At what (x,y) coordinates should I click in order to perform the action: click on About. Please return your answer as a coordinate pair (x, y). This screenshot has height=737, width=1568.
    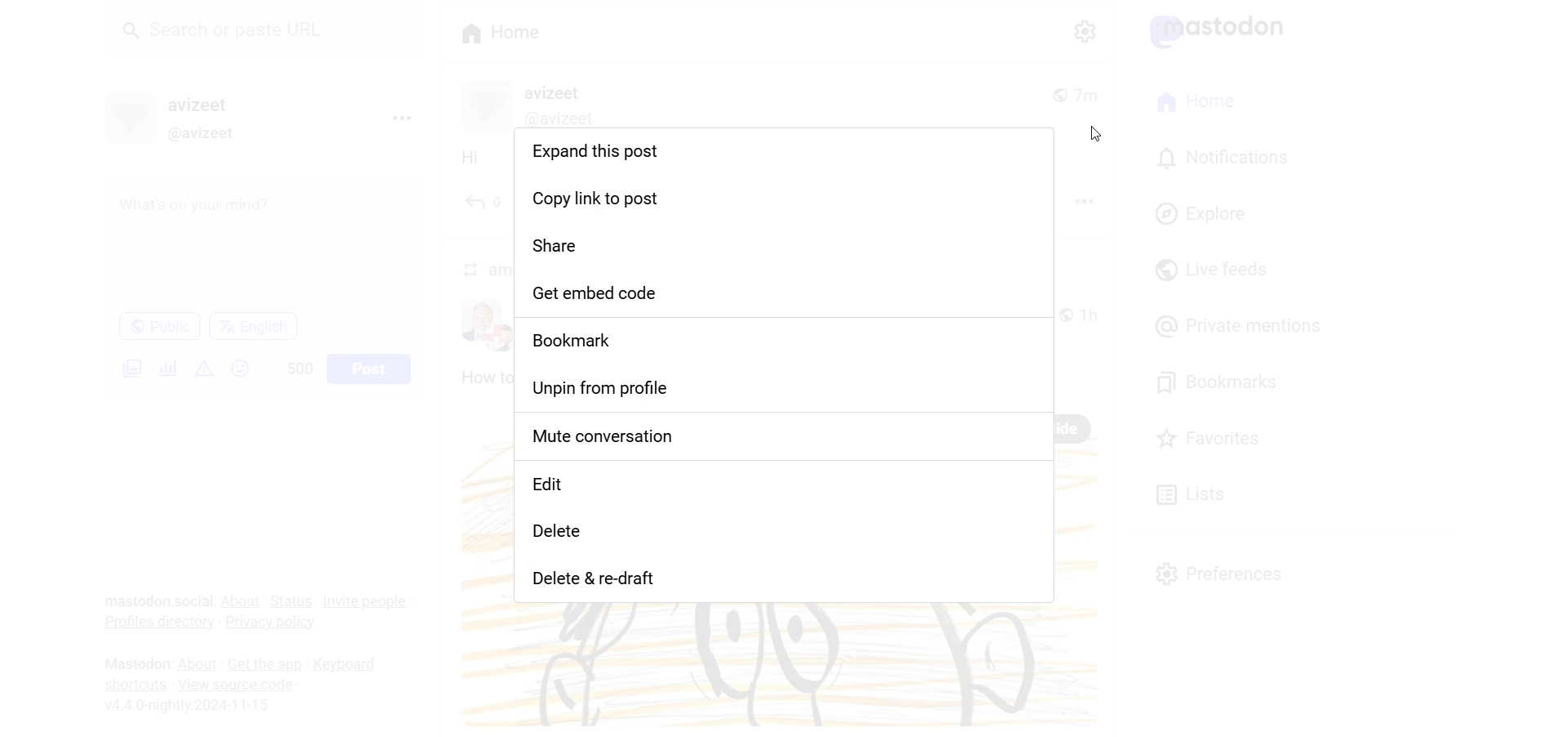
    Looking at the image, I should click on (242, 600).